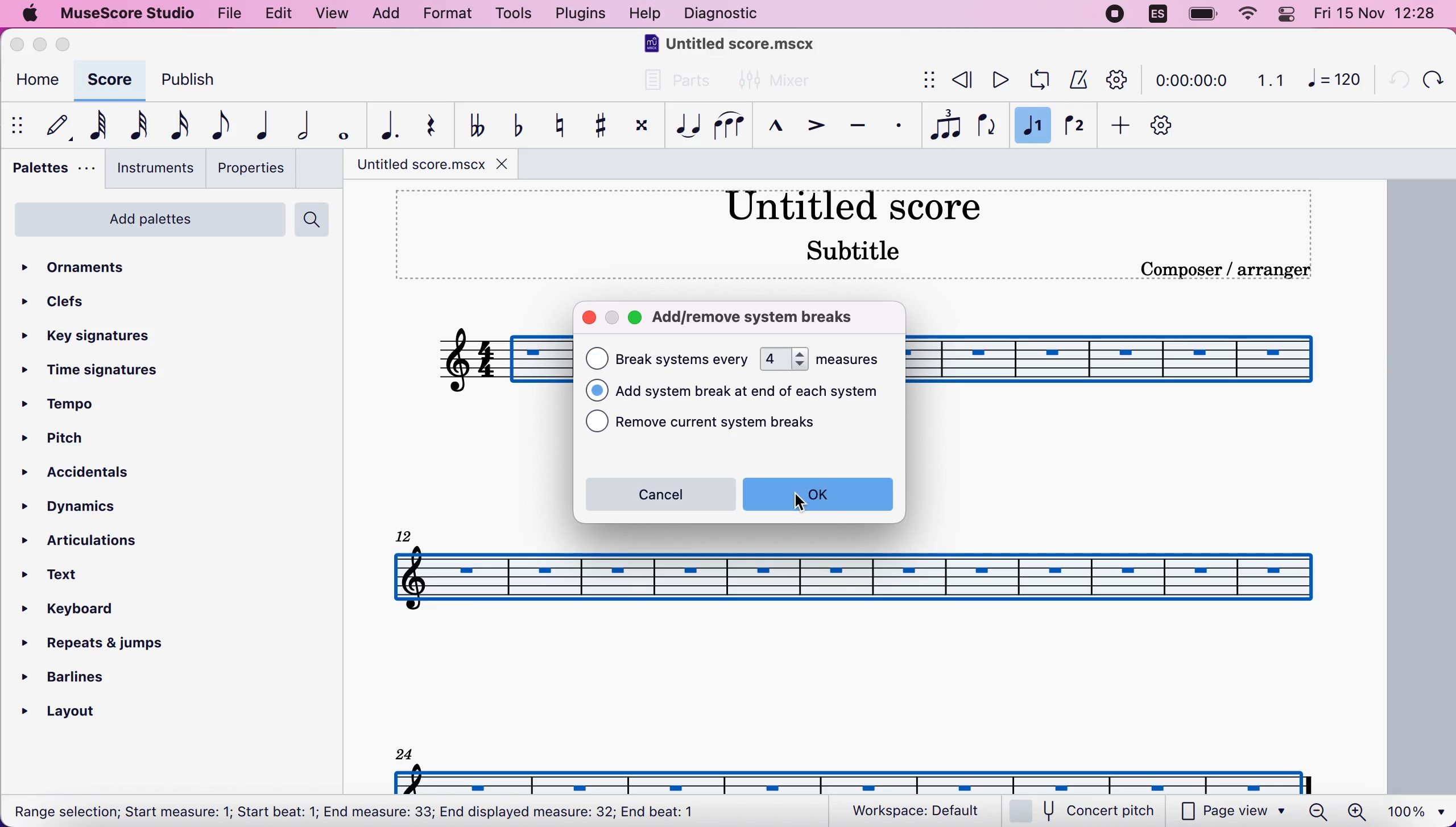  Describe the element at coordinates (404, 752) in the screenshot. I see `24` at that location.